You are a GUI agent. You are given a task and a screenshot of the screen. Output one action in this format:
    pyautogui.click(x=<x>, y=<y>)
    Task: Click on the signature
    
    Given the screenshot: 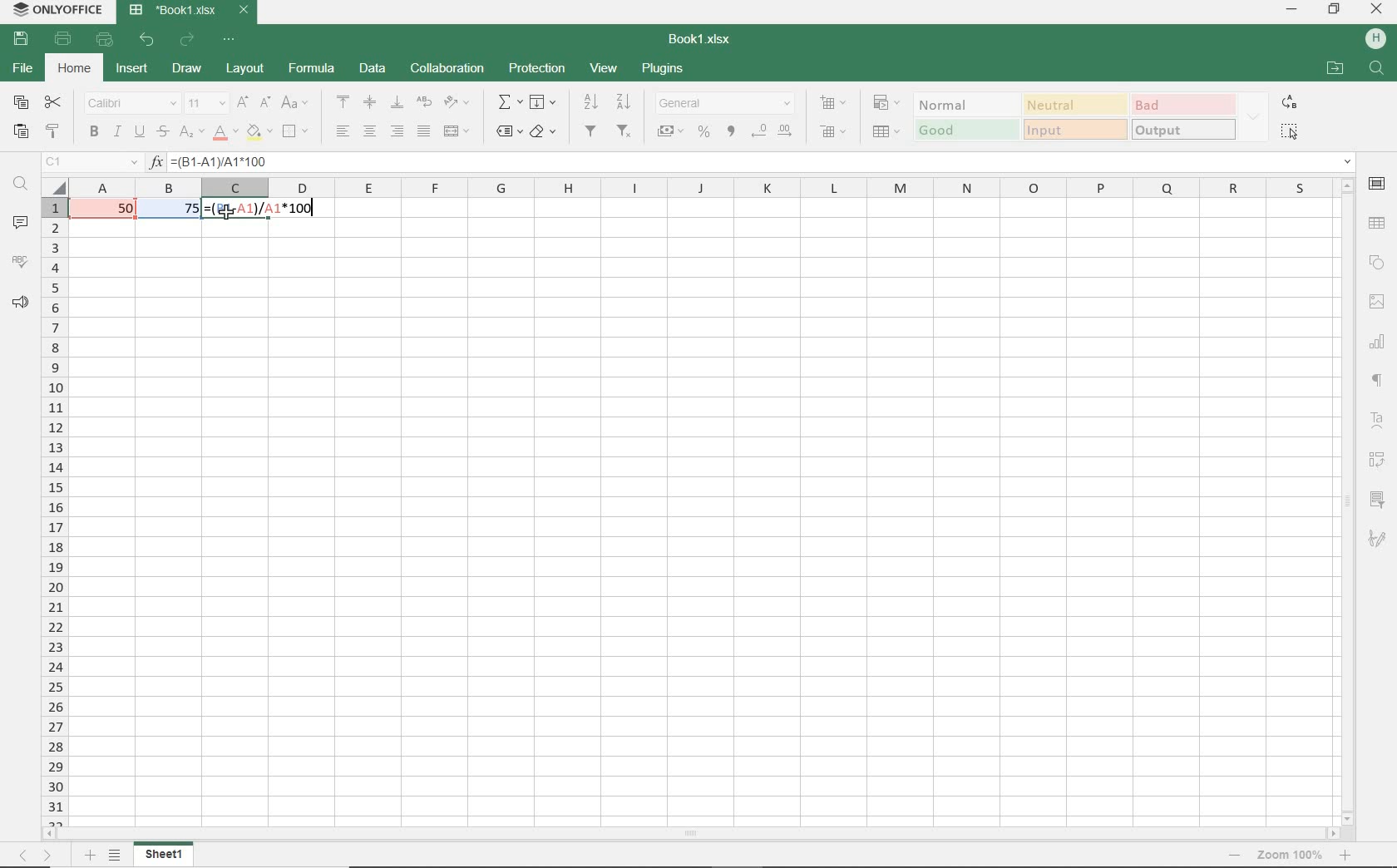 What is the action you would take?
    pyautogui.click(x=1381, y=539)
    